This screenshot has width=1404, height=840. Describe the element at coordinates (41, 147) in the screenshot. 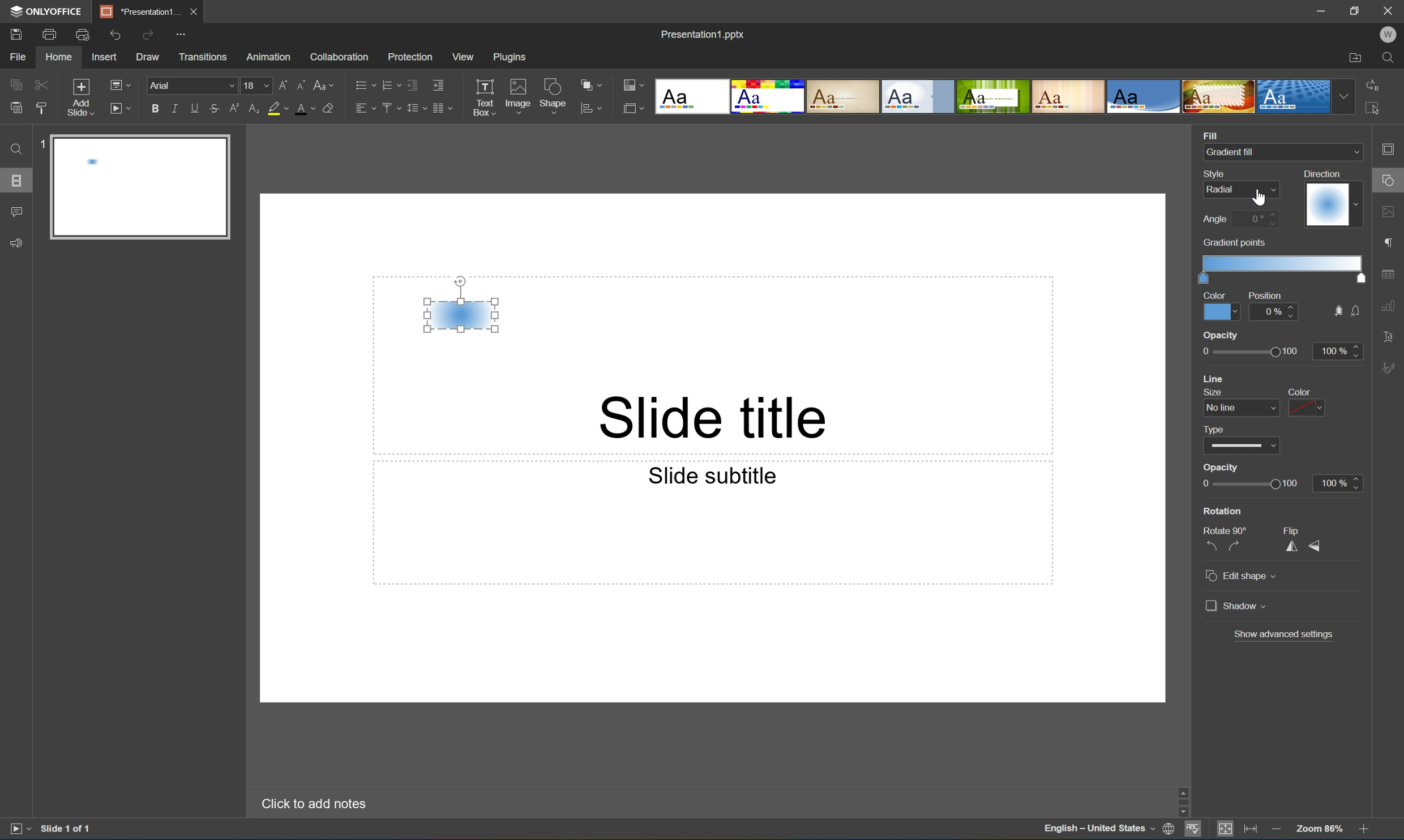

I see `1` at that location.